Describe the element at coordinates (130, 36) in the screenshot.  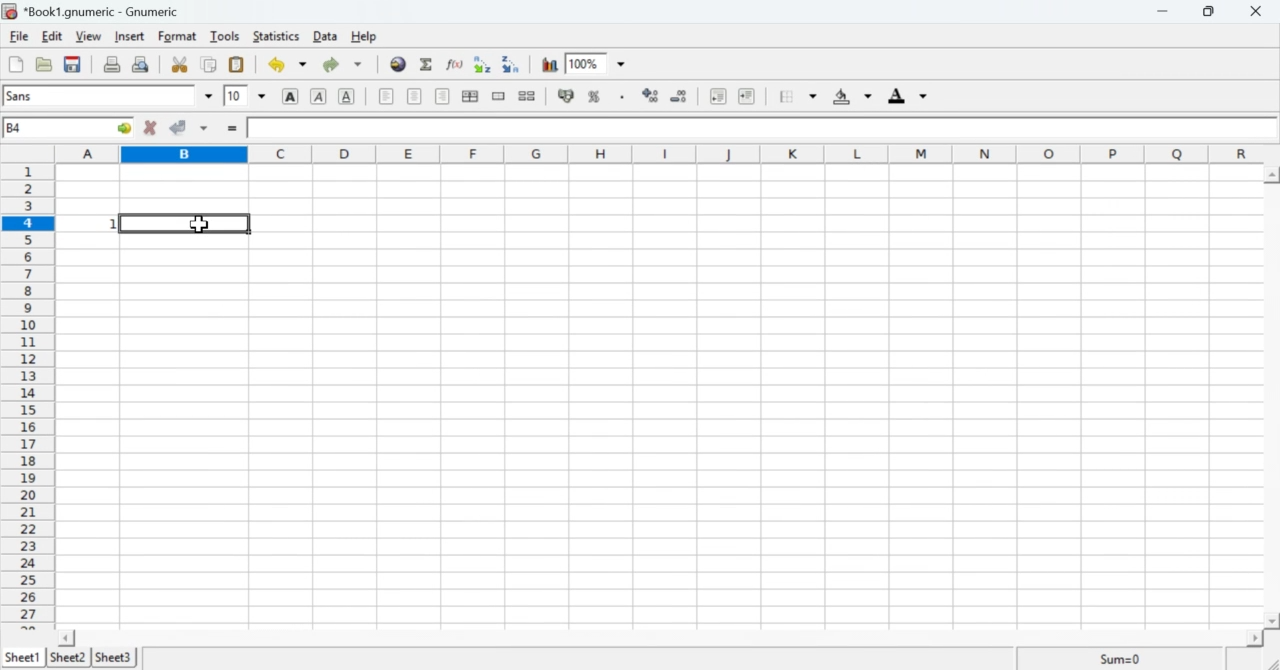
I see `Insert` at that location.